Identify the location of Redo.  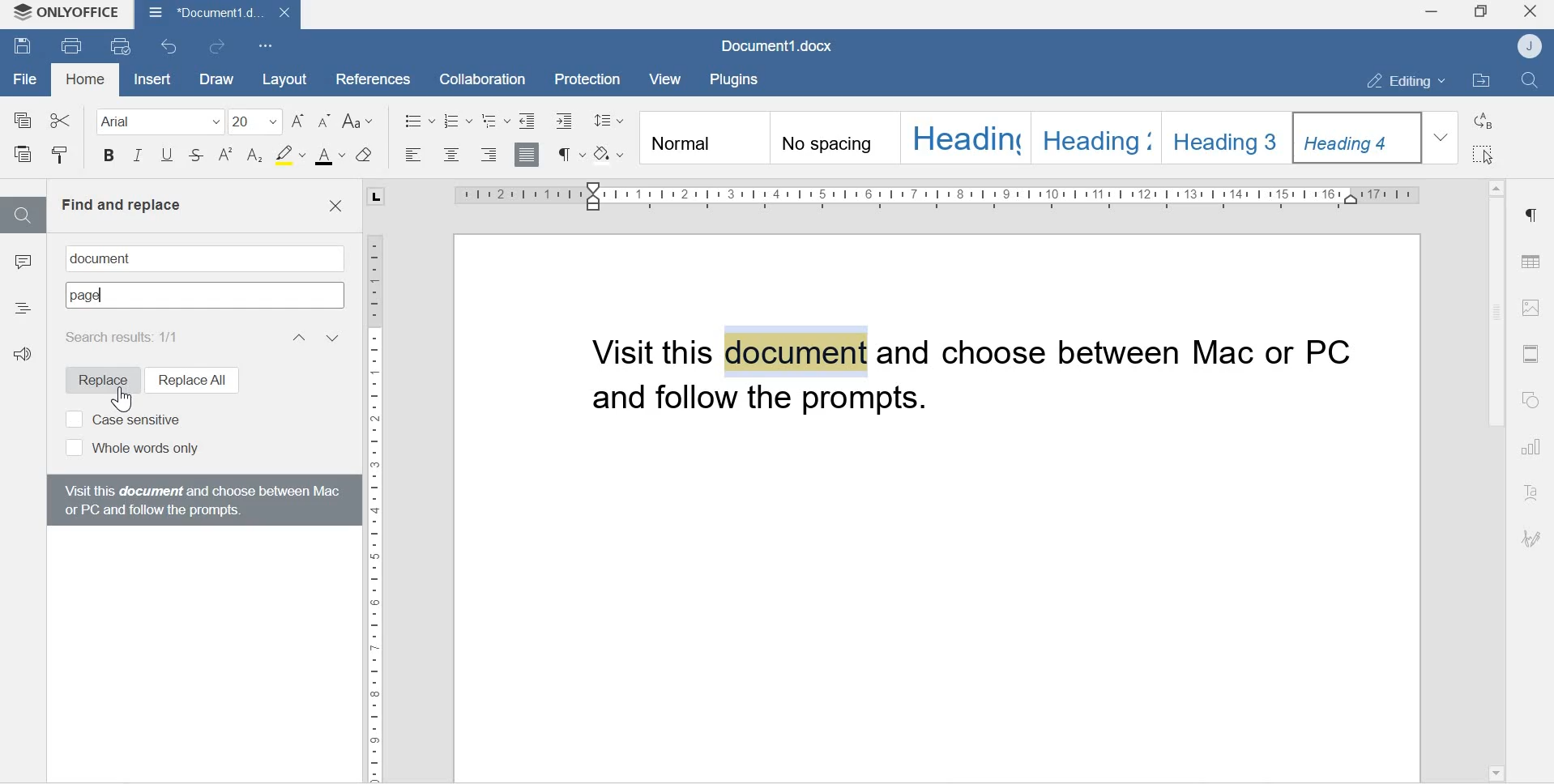
(221, 47).